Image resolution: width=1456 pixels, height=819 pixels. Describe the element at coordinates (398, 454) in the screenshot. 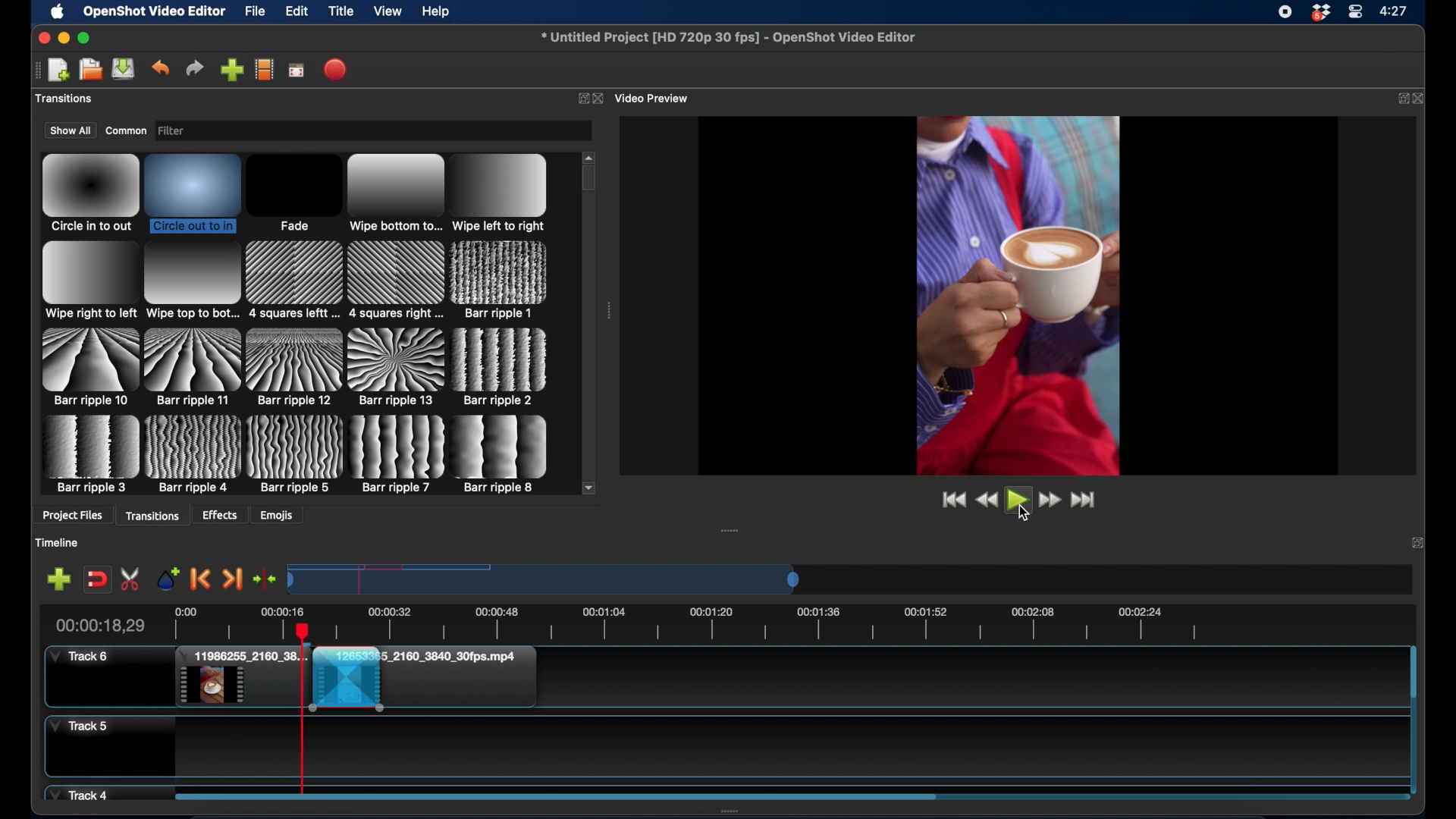

I see `transition` at that location.